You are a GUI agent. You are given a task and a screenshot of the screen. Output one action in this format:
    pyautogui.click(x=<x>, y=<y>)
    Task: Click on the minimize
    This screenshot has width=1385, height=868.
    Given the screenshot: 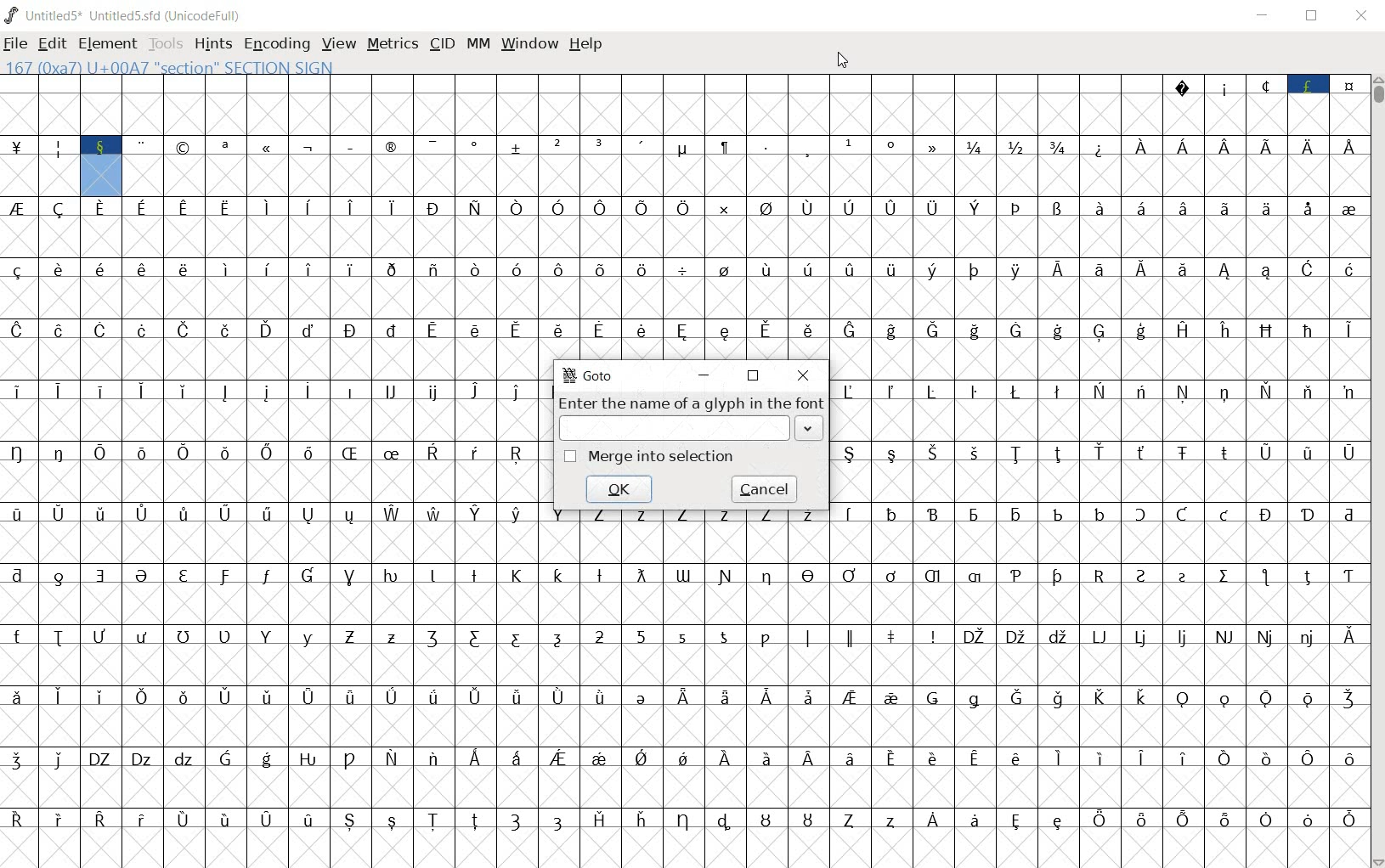 What is the action you would take?
    pyautogui.click(x=704, y=375)
    